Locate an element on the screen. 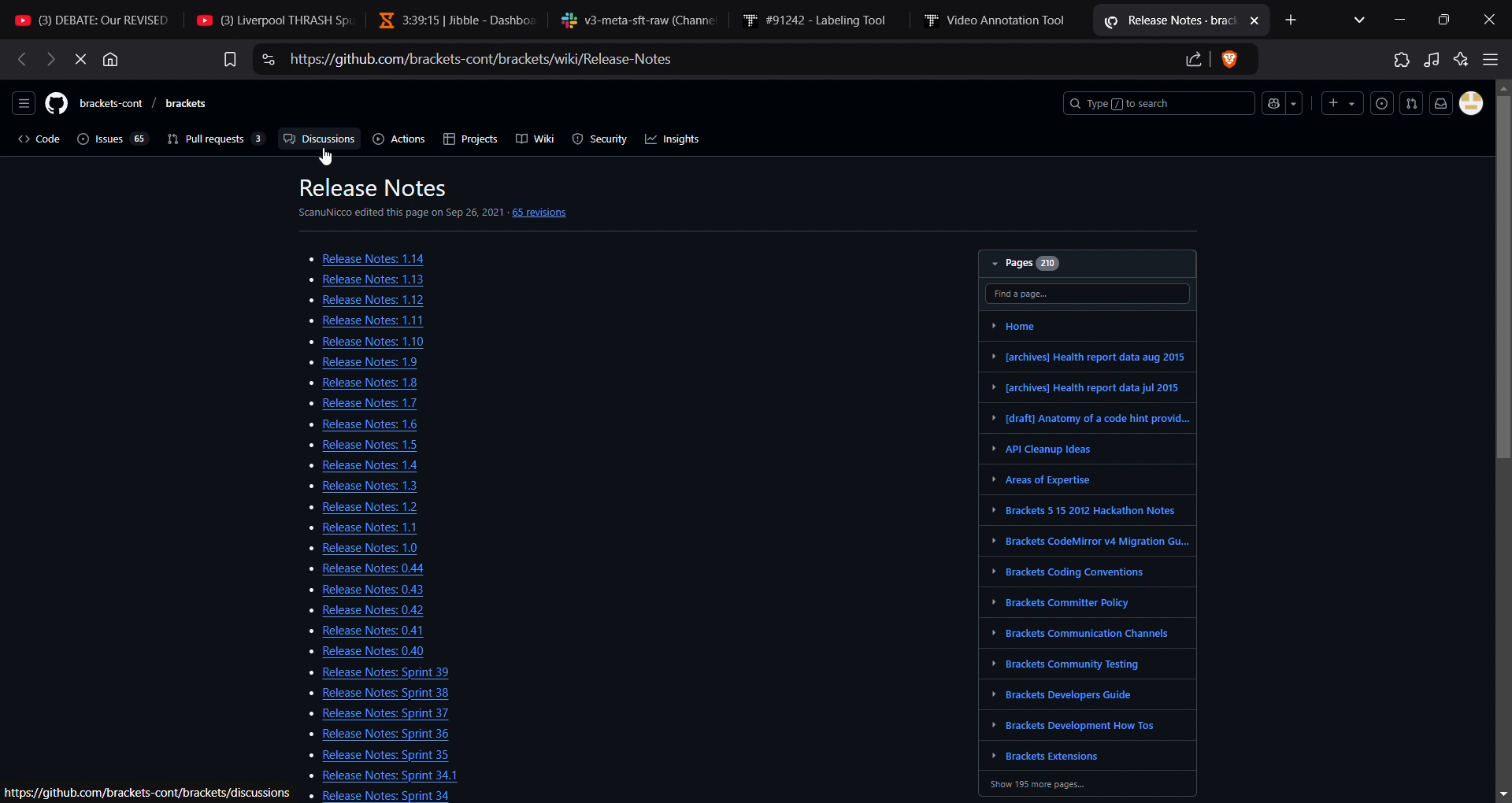 The width and height of the screenshot is (1512, 803). e Release Notes: 1.10 is located at coordinates (357, 342).